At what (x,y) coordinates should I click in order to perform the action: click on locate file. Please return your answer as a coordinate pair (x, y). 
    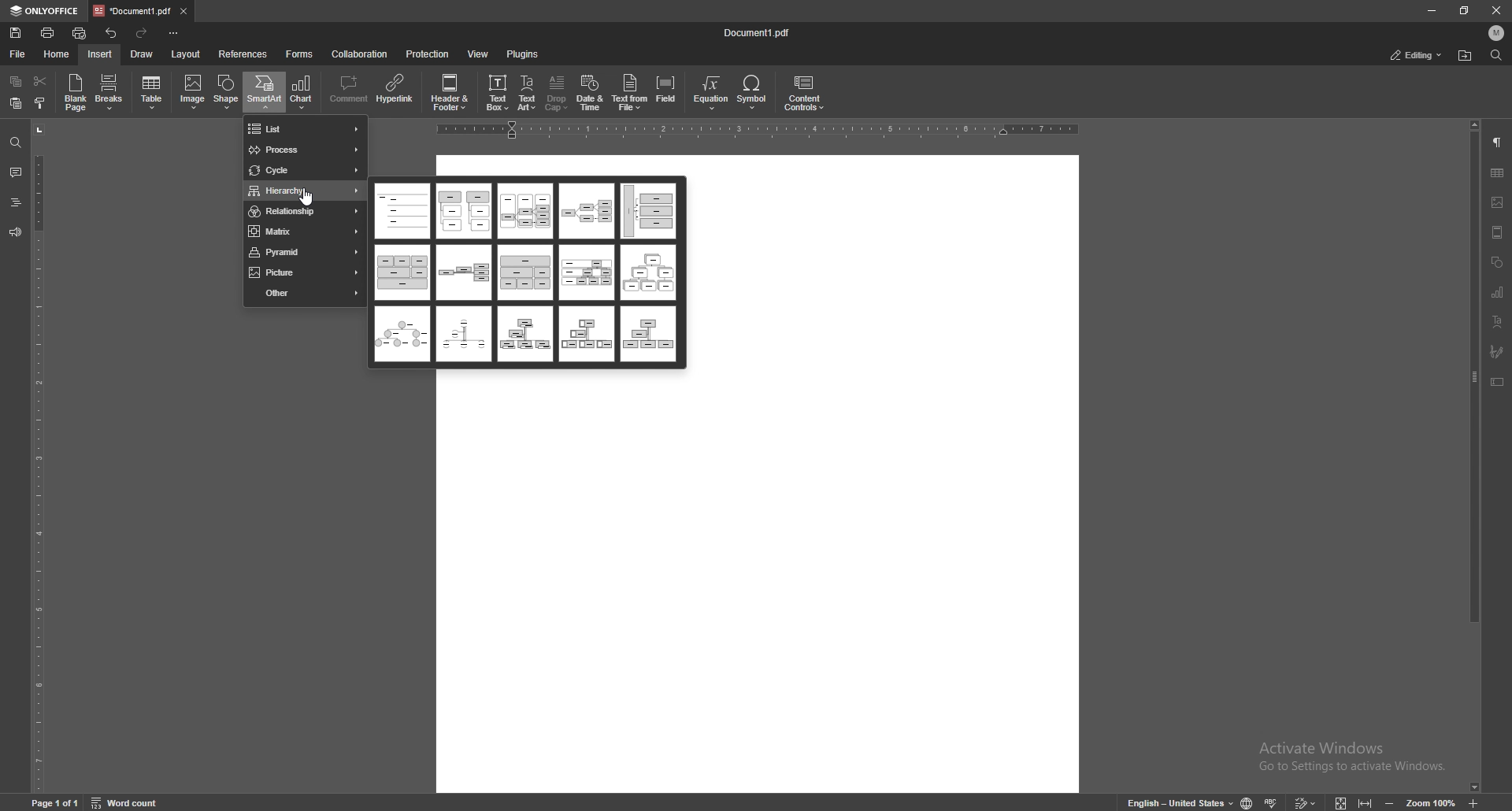
    Looking at the image, I should click on (1466, 55).